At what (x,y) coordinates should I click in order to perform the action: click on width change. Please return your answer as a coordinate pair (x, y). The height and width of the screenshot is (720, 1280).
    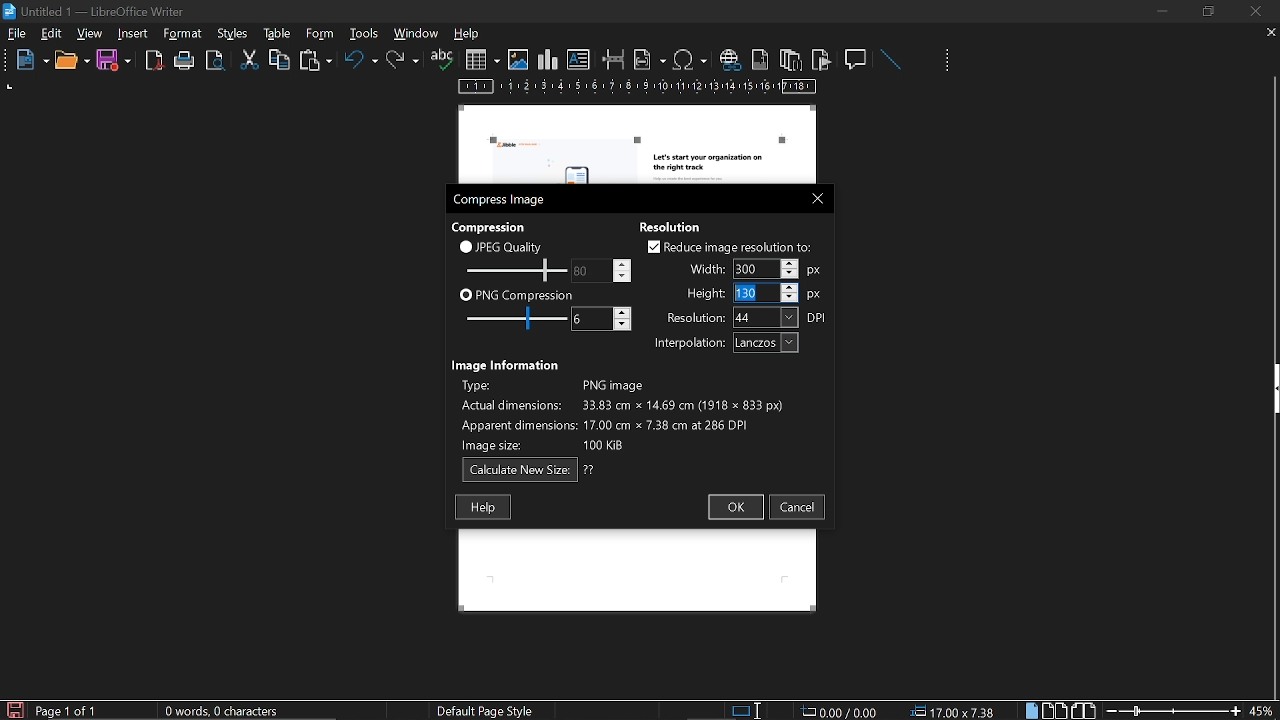
    Looking at the image, I should click on (752, 268).